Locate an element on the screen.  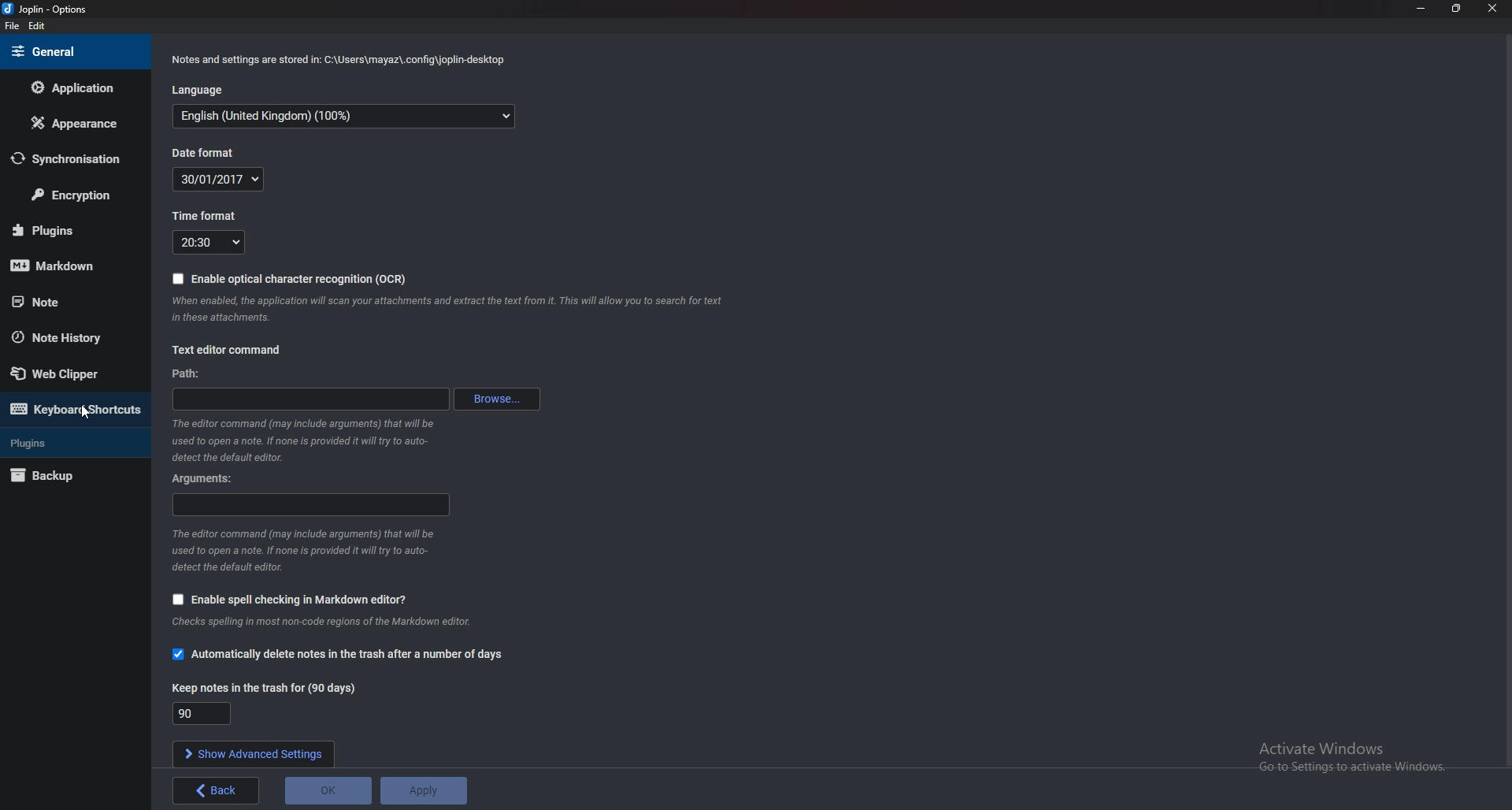
Automatically delete notes in the trash after a number a days is located at coordinates (348, 655).